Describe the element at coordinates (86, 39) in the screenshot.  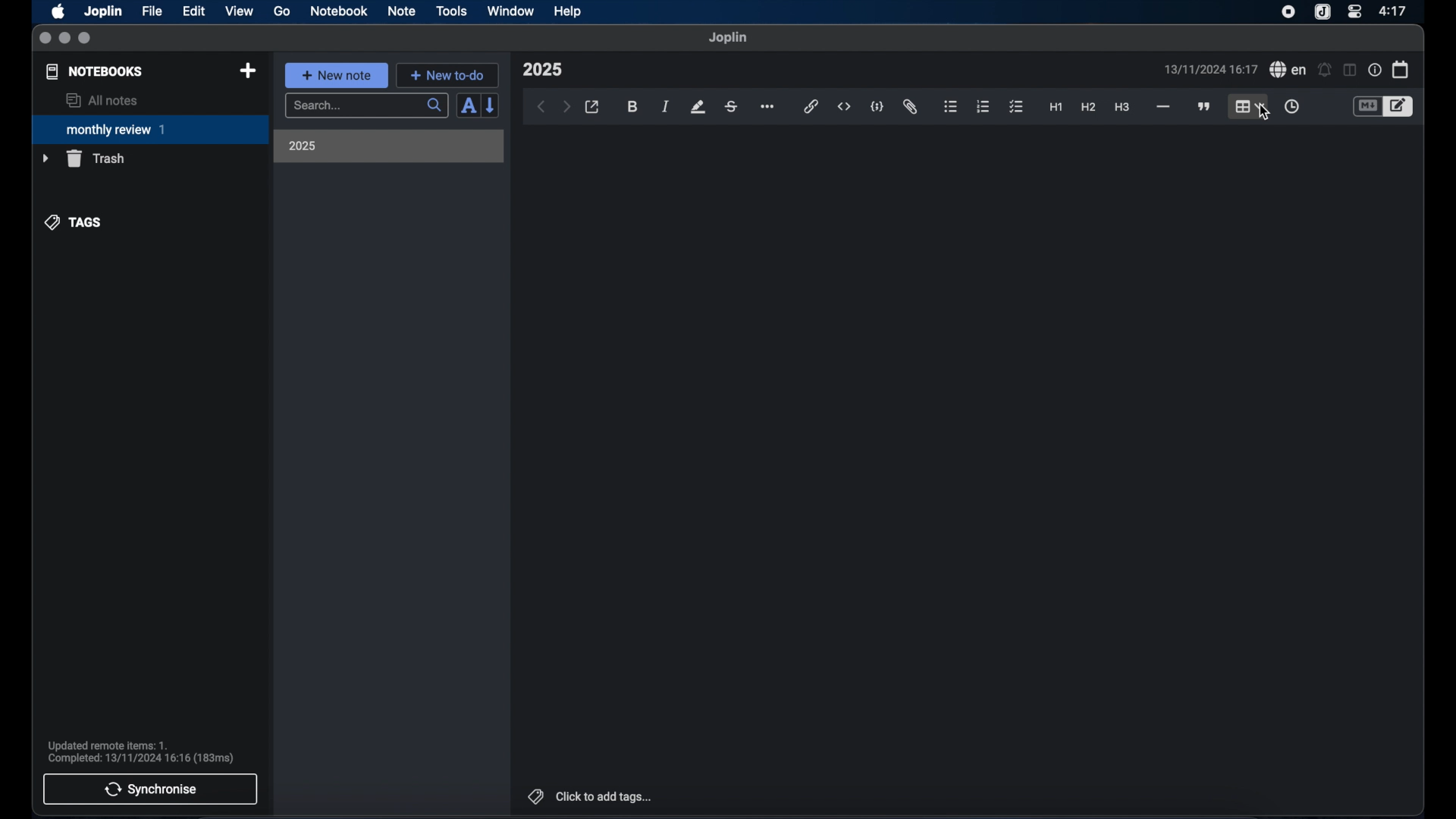
I see `maximize` at that location.